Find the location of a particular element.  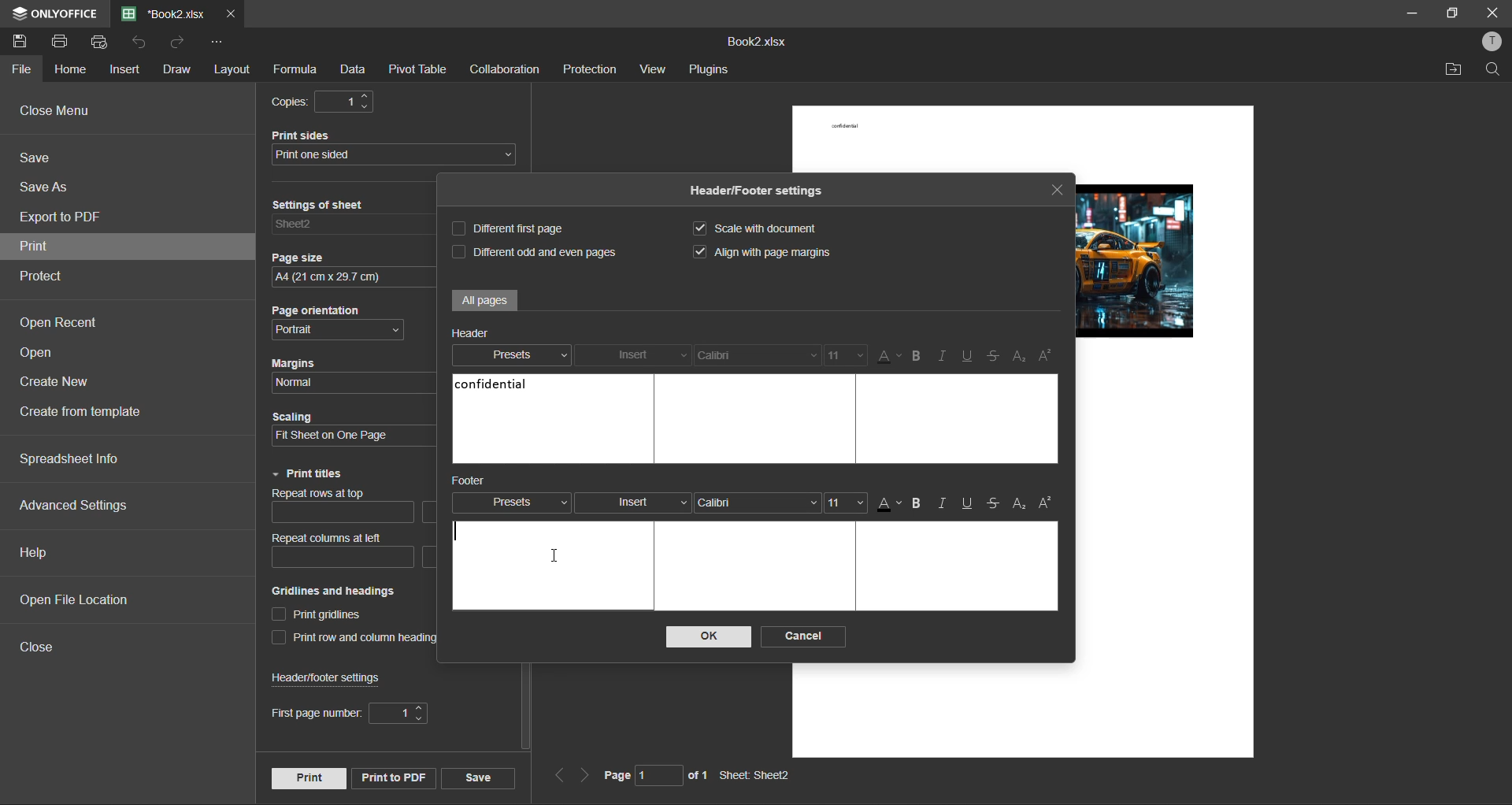

formula is located at coordinates (297, 69).